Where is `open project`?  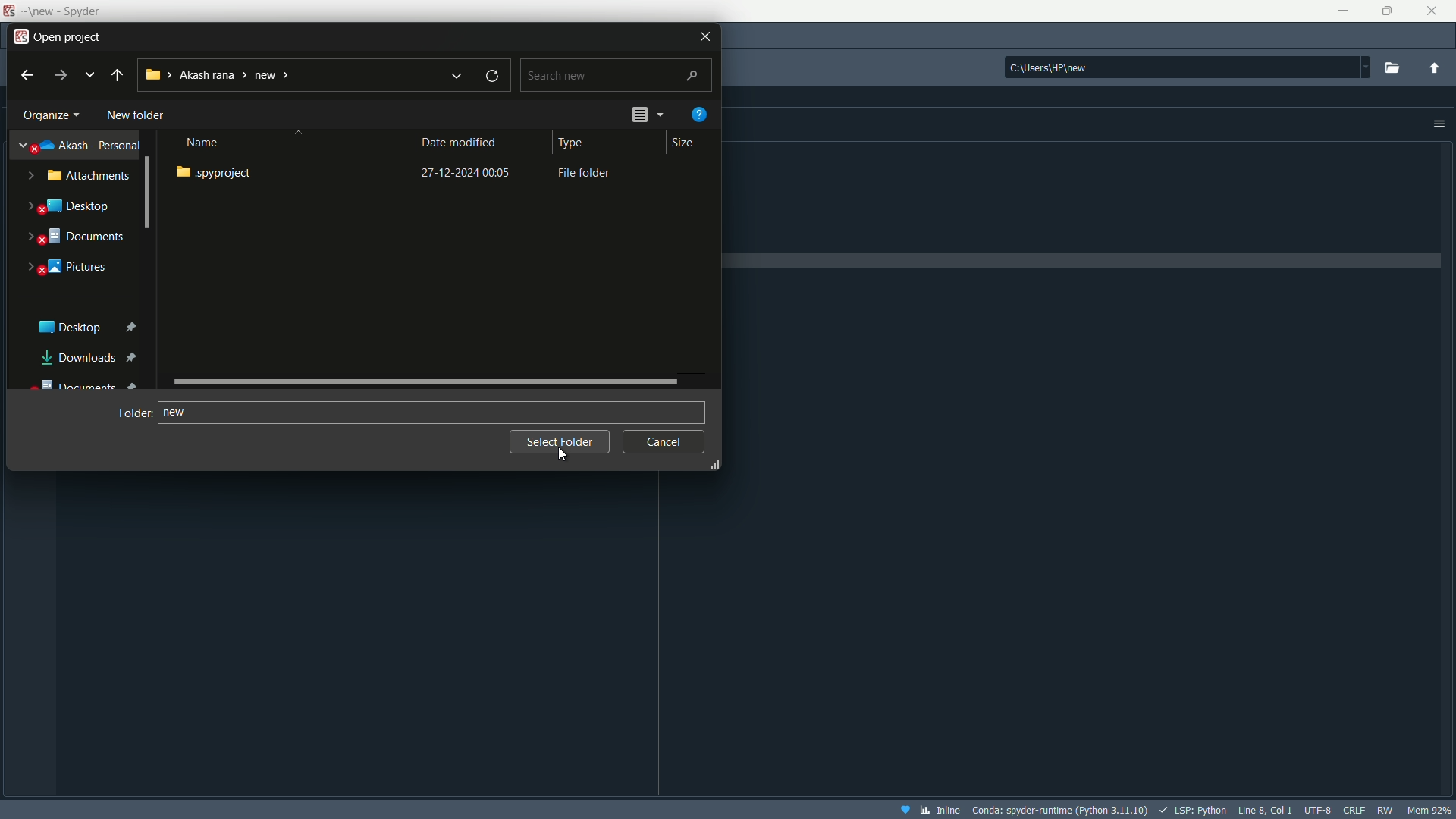
open project is located at coordinates (71, 37).